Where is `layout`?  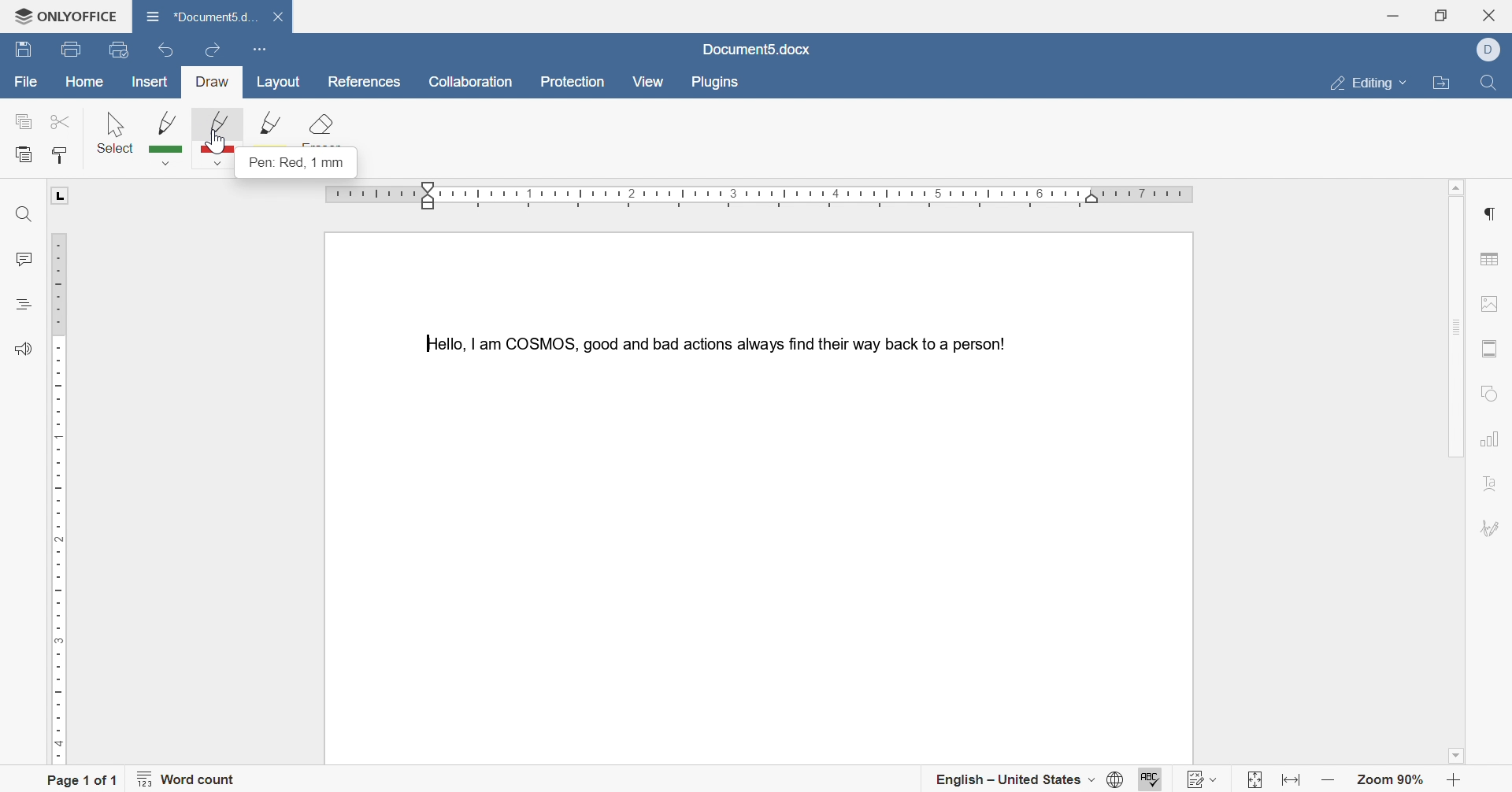
layout is located at coordinates (282, 83).